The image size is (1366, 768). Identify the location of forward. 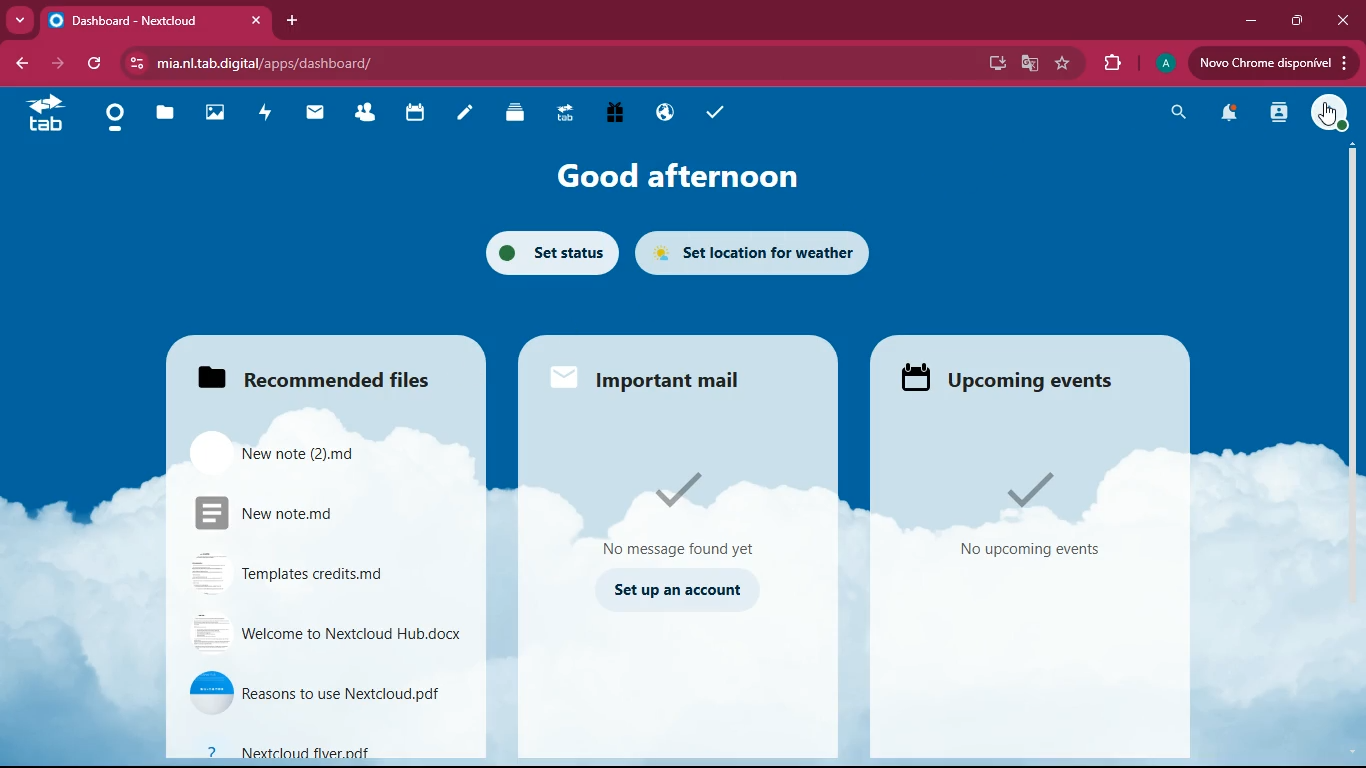
(55, 64).